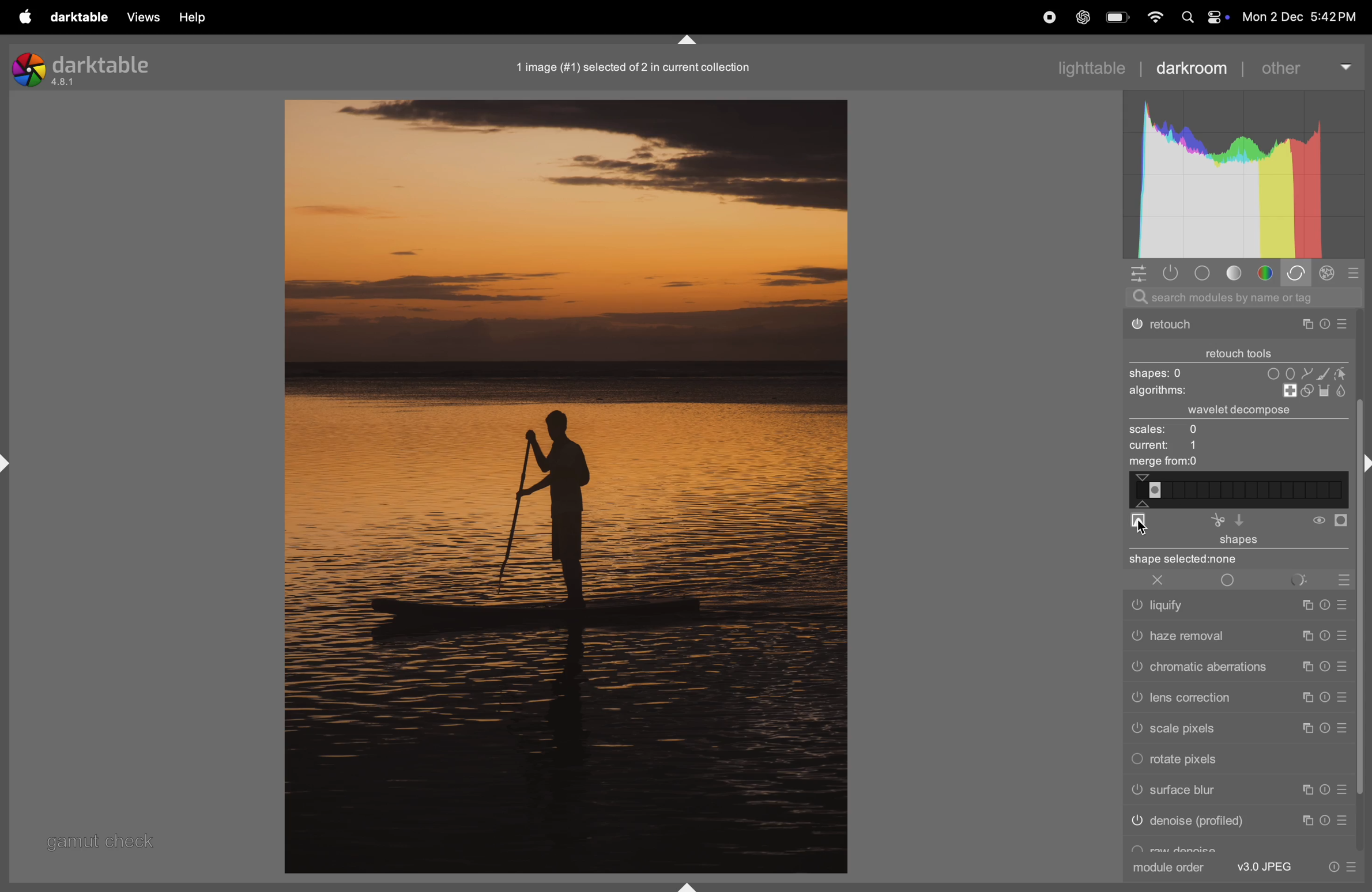  Describe the element at coordinates (1242, 350) in the screenshot. I see `retouch tools` at that location.